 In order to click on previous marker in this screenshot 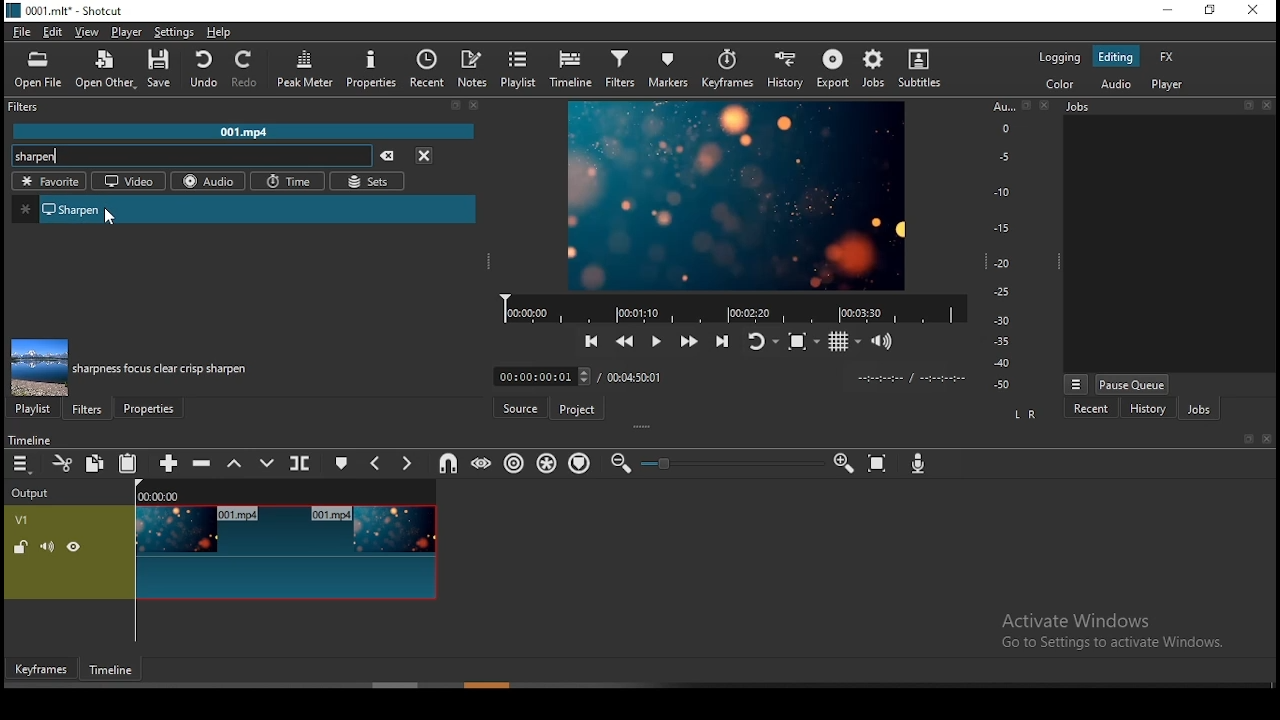, I will do `click(375, 461)`.